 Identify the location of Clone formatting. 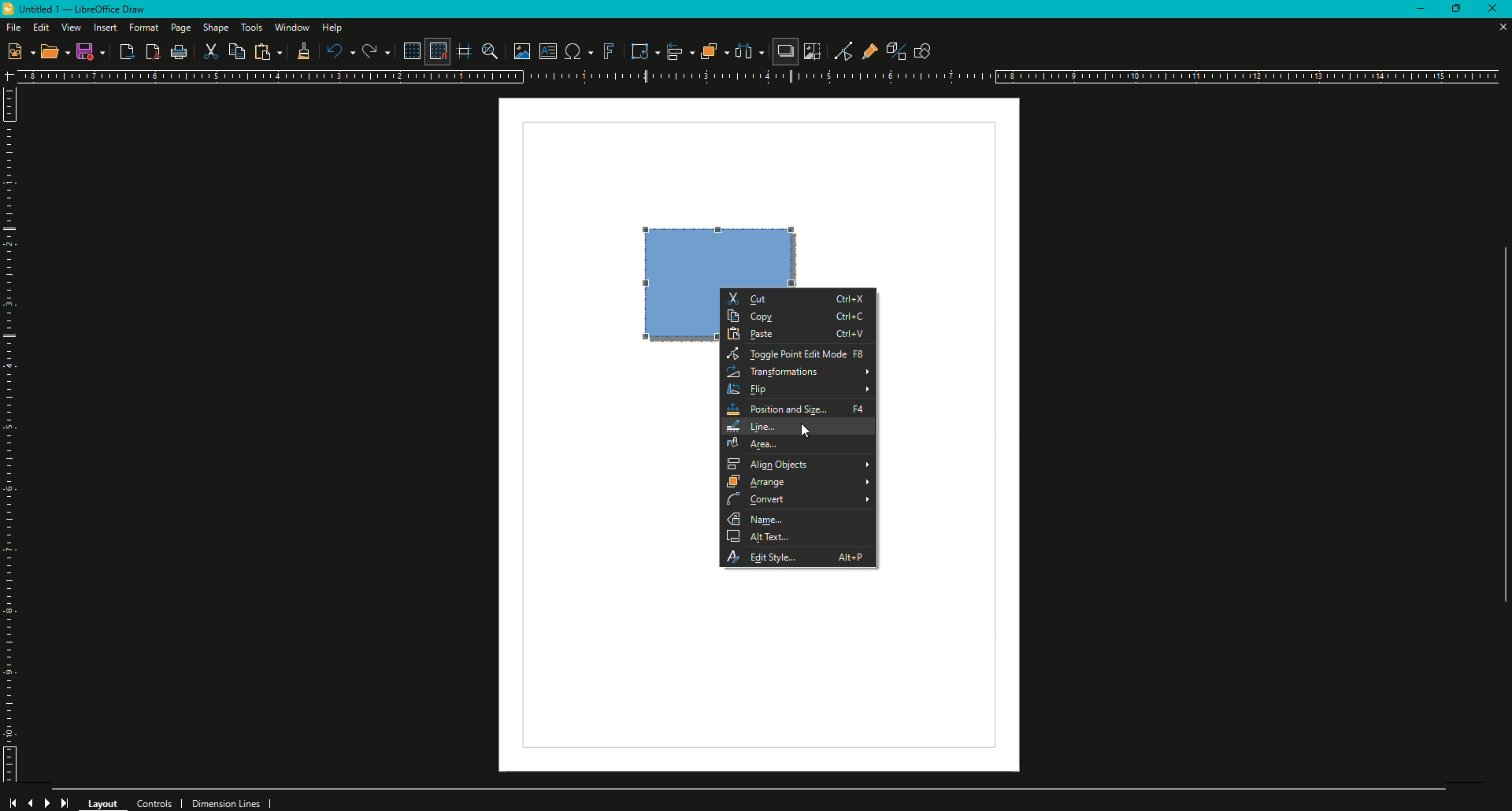
(301, 52).